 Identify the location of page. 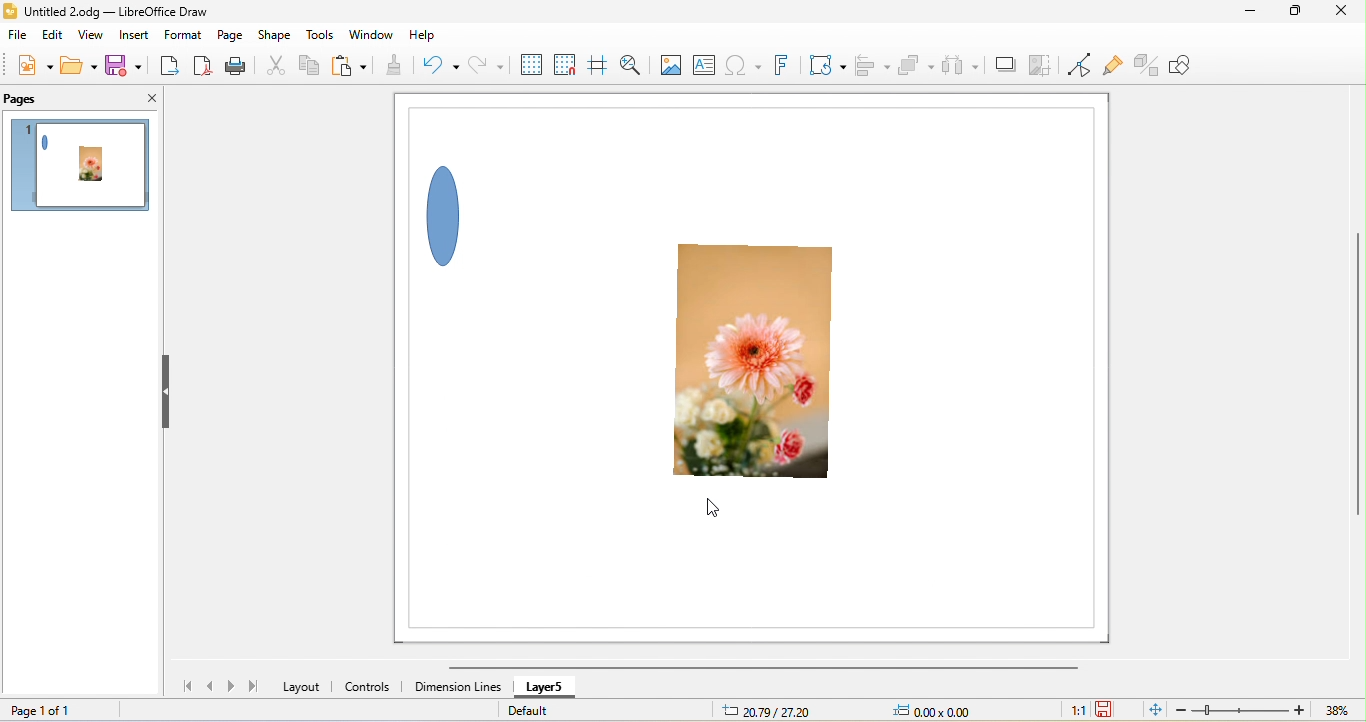
(233, 35).